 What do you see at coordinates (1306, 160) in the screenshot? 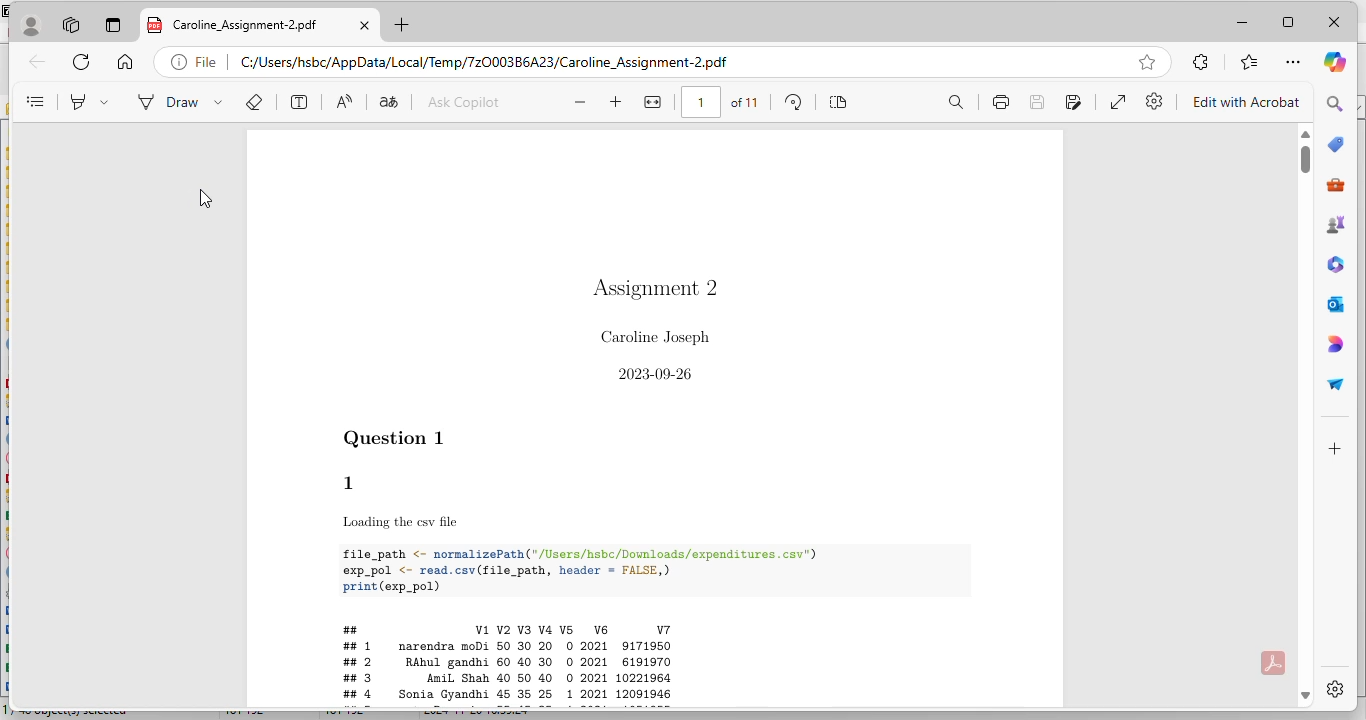
I see `vertical scroll bar` at bounding box center [1306, 160].